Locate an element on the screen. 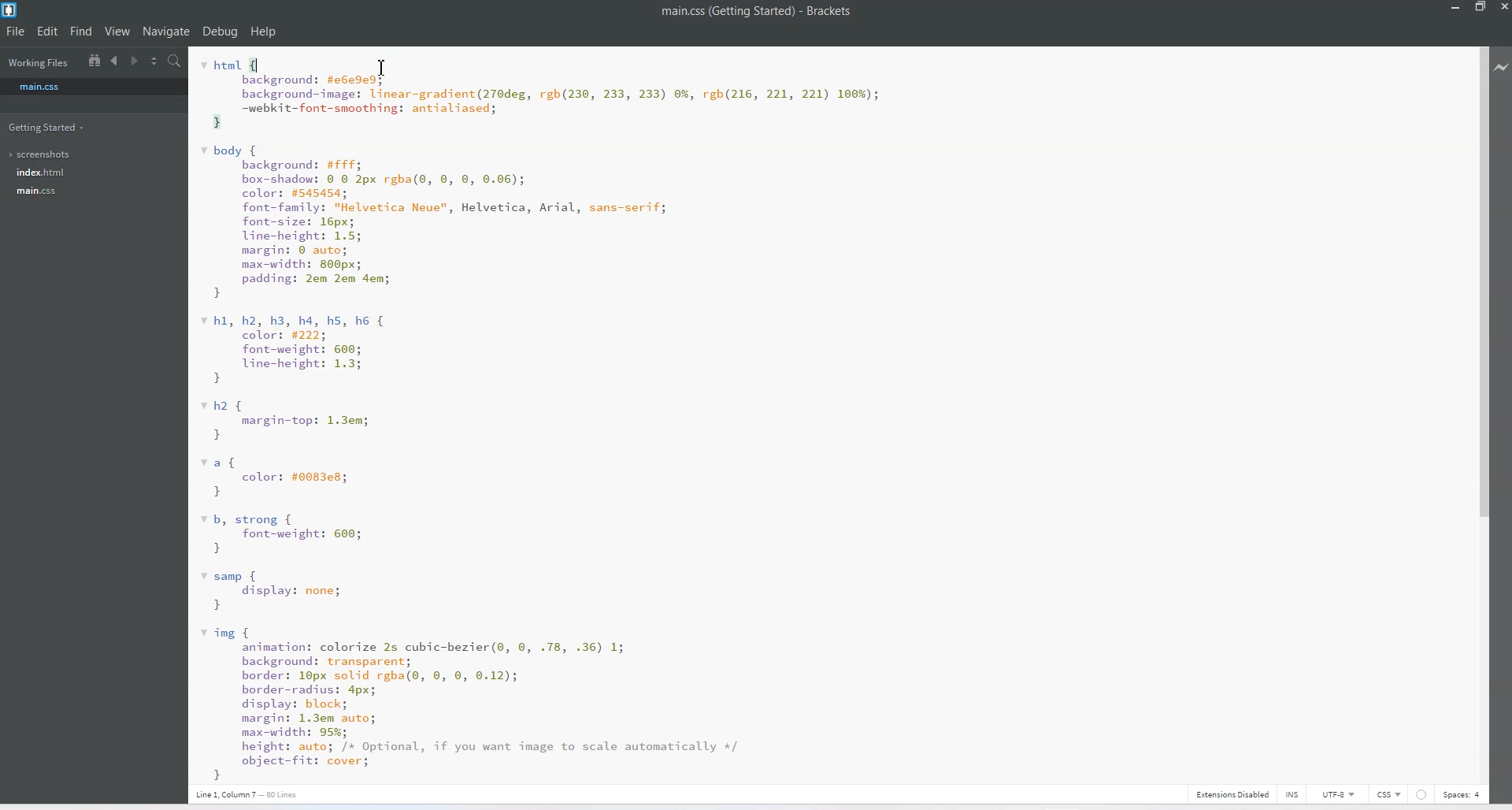  Show in the file tree is located at coordinates (95, 60).